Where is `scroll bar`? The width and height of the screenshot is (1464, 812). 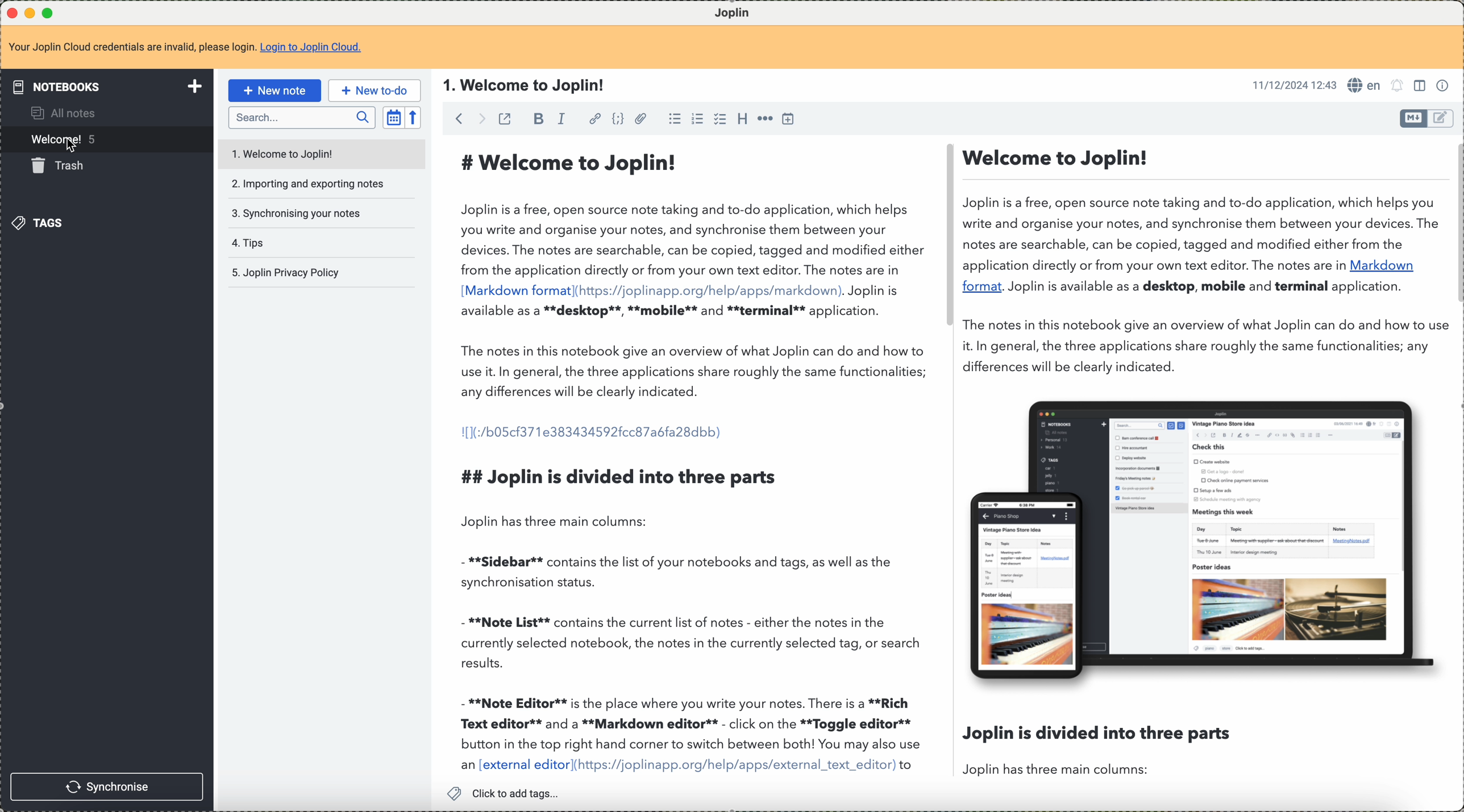
scroll bar is located at coordinates (946, 238).